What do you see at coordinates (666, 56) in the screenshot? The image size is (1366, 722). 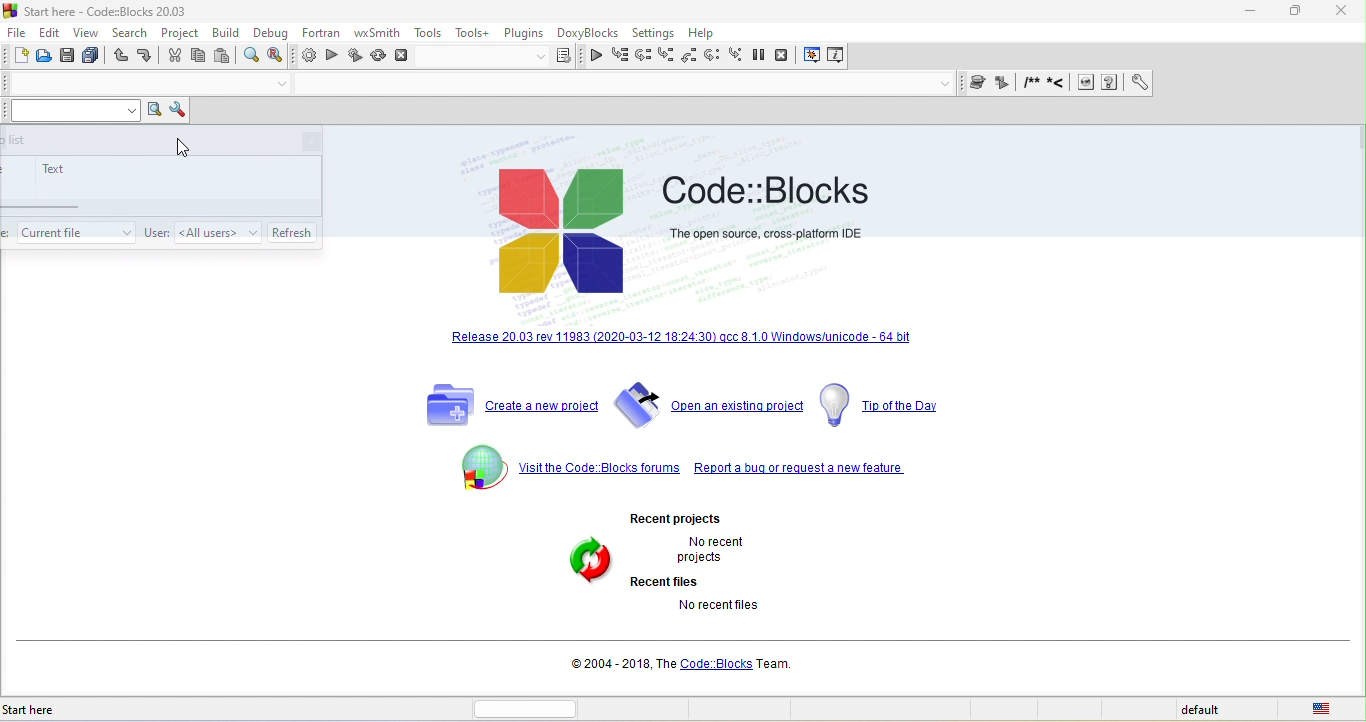 I see `step into` at bounding box center [666, 56].